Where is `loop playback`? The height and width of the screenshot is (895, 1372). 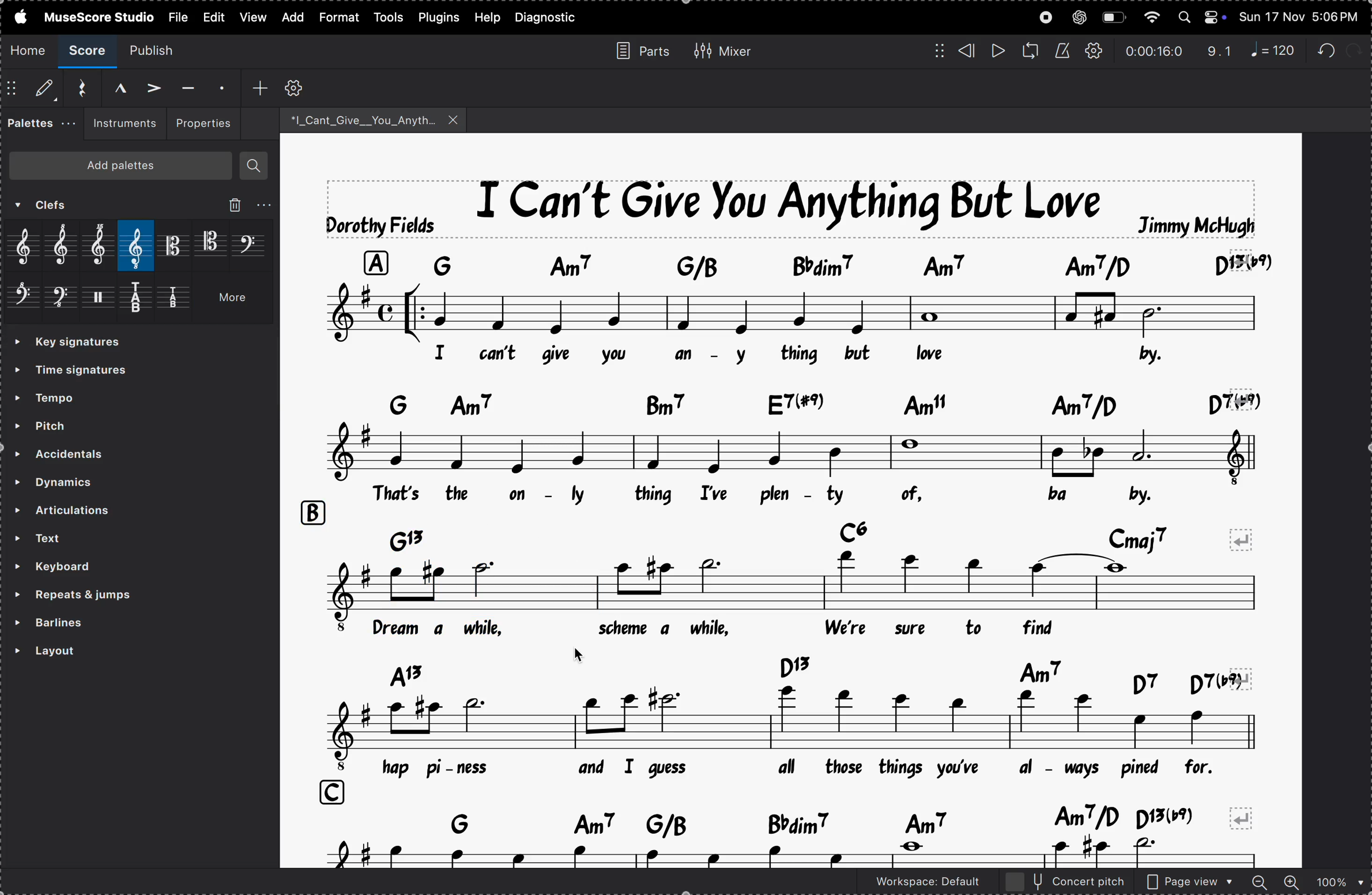
loop playback is located at coordinates (1030, 51).